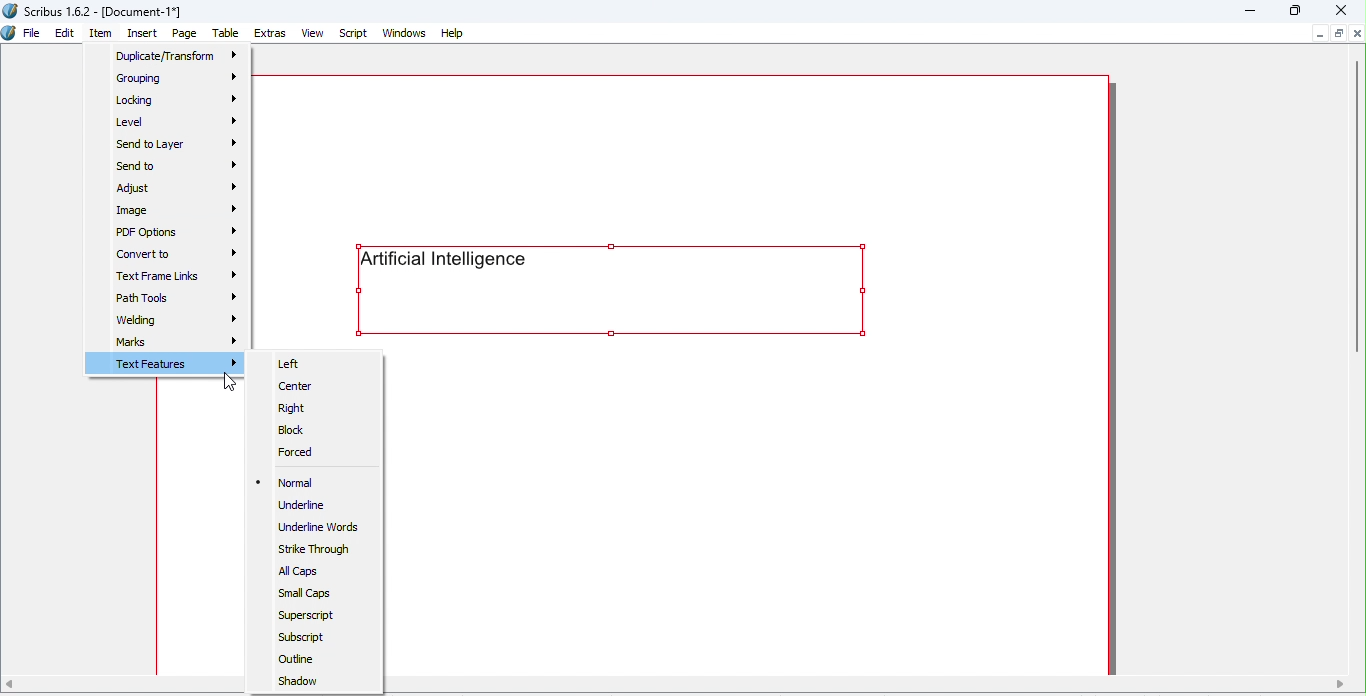  Describe the element at coordinates (309, 616) in the screenshot. I see `Superscript` at that location.